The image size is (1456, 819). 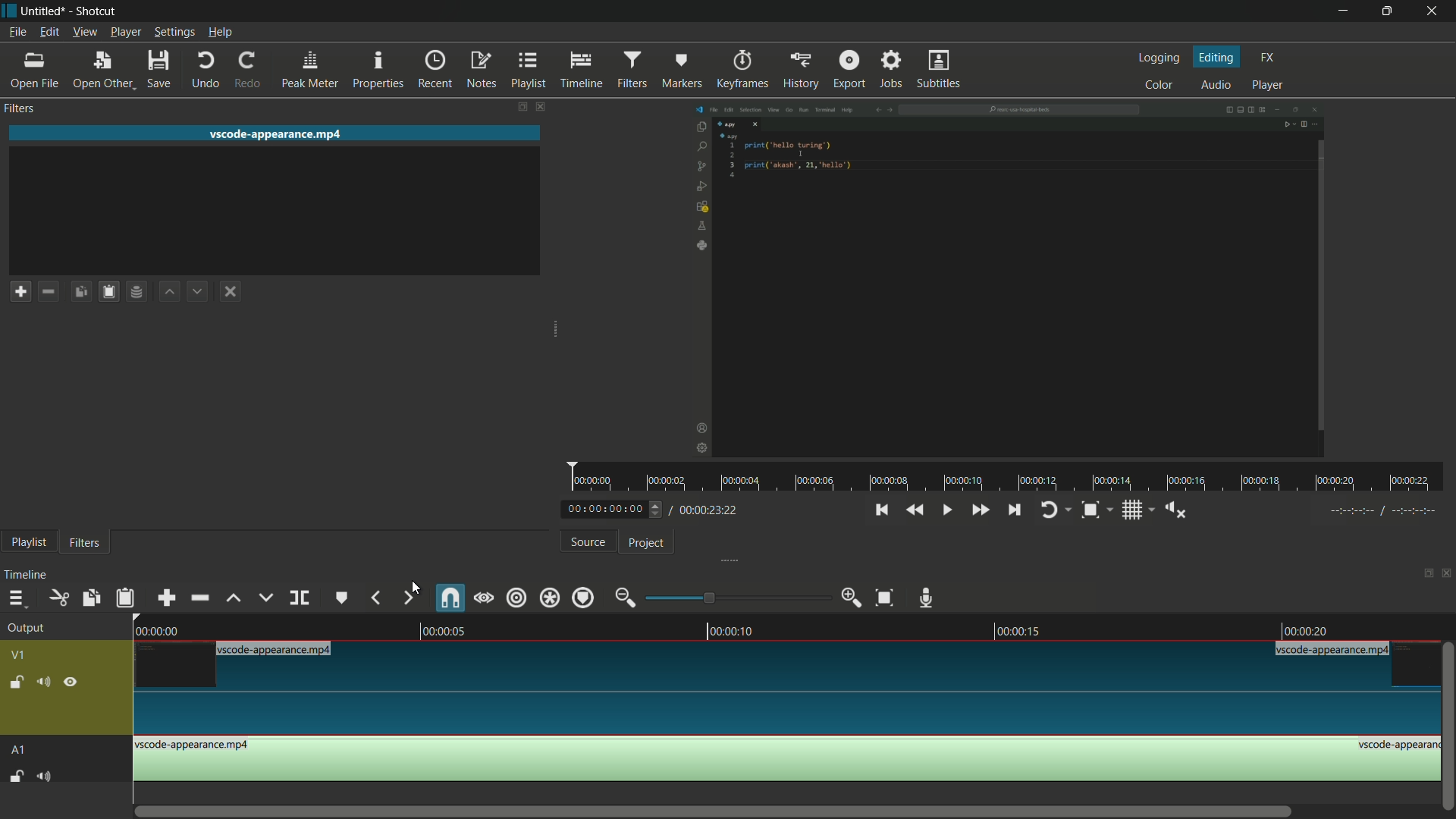 What do you see at coordinates (247, 70) in the screenshot?
I see `redo` at bounding box center [247, 70].